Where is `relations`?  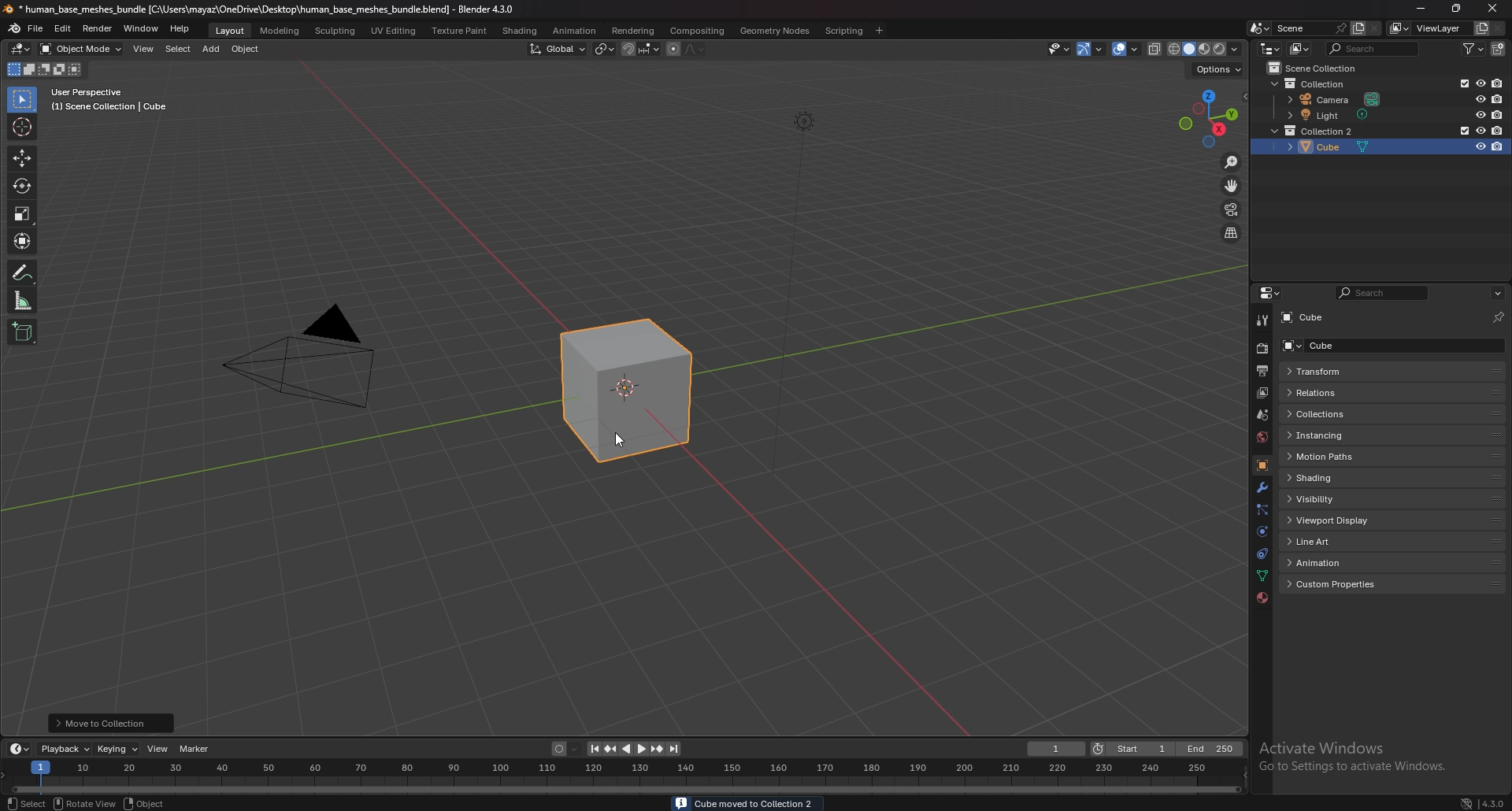
relations is located at coordinates (1342, 392).